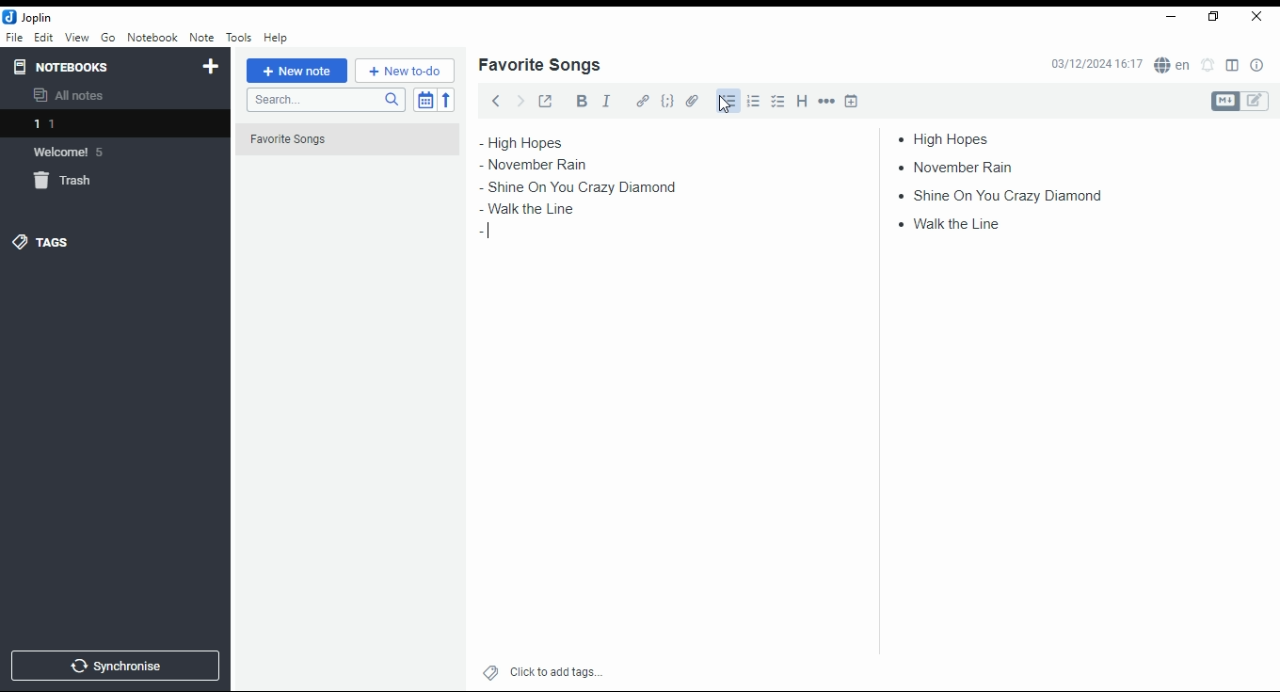 This screenshot has height=692, width=1280. Describe the element at coordinates (73, 151) in the screenshot. I see `notebook: welcome` at that location.